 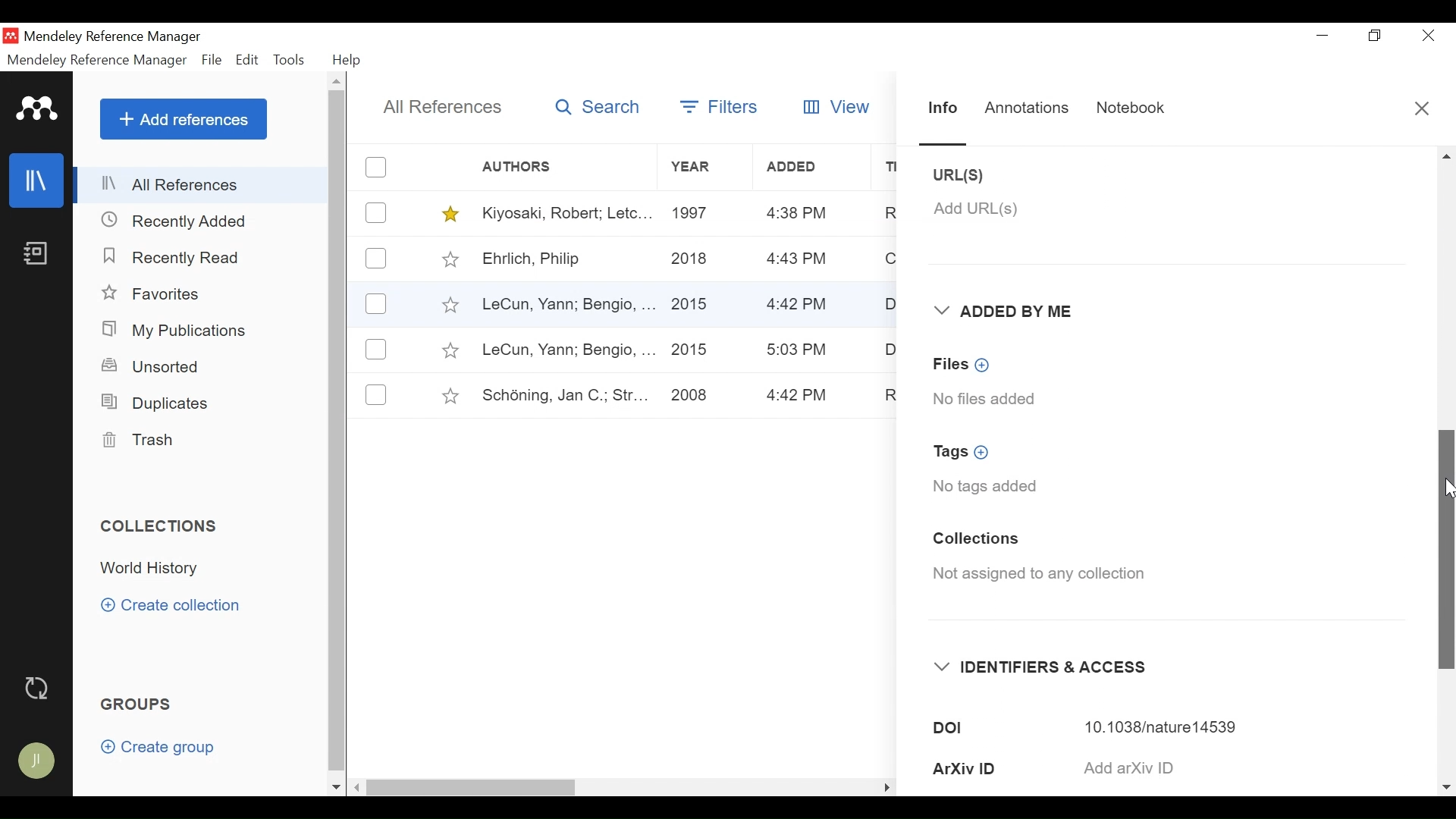 I want to click on (un)select, so click(x=376, y=213).